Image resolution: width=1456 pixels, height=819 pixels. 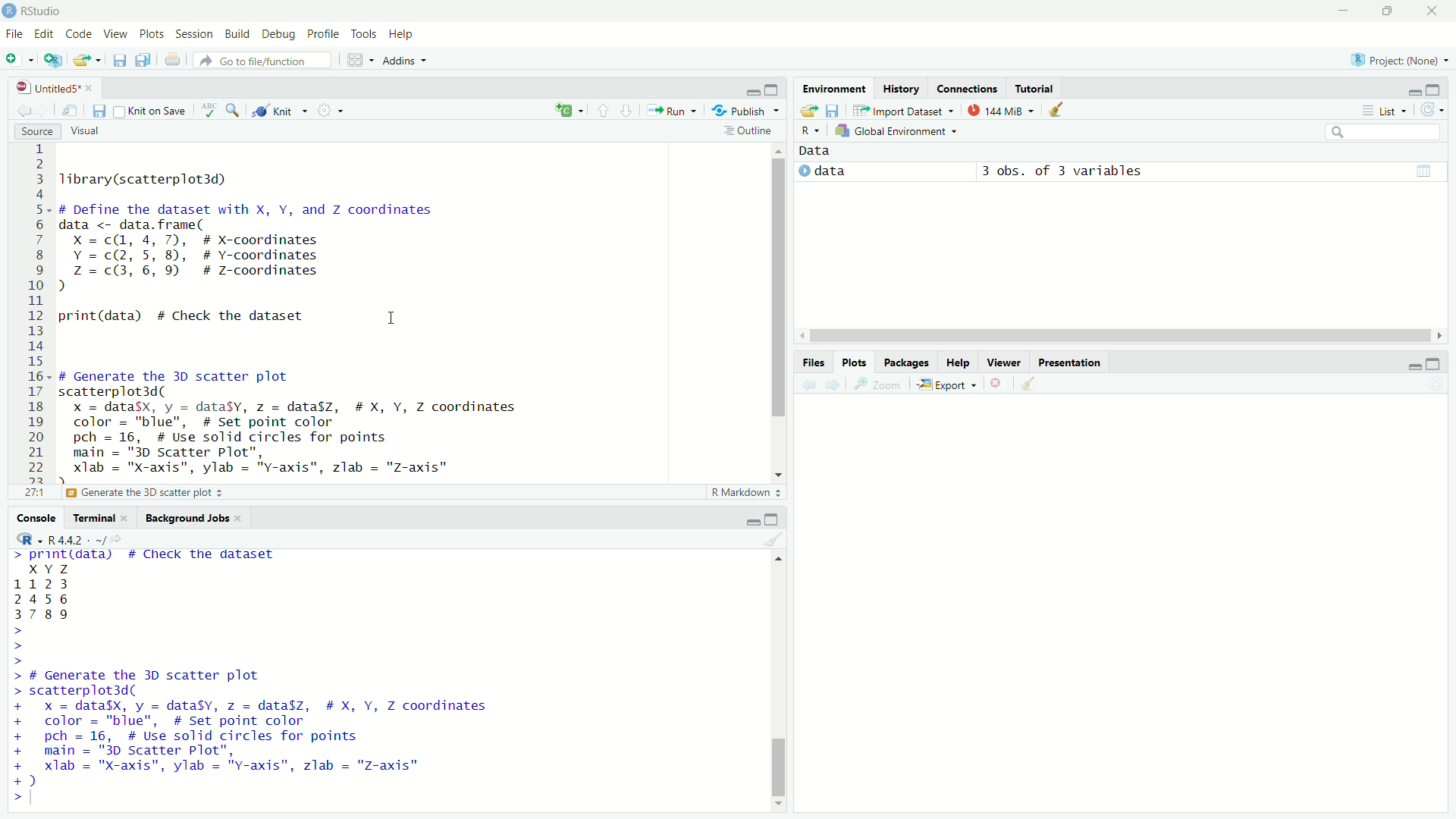 I want to click on close, so click(x=1433, y=11).